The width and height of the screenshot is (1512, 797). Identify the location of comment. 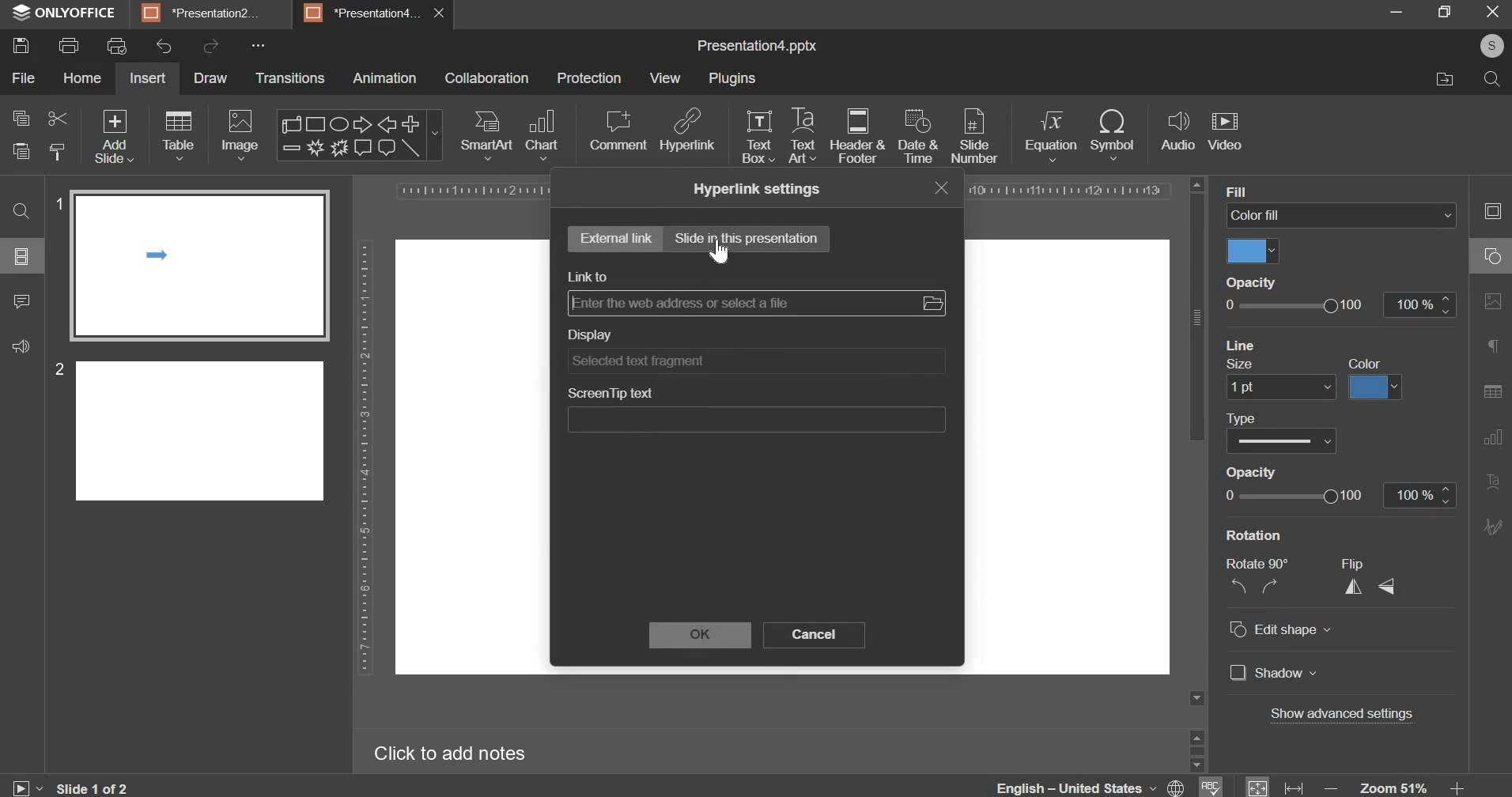
(23, 308).